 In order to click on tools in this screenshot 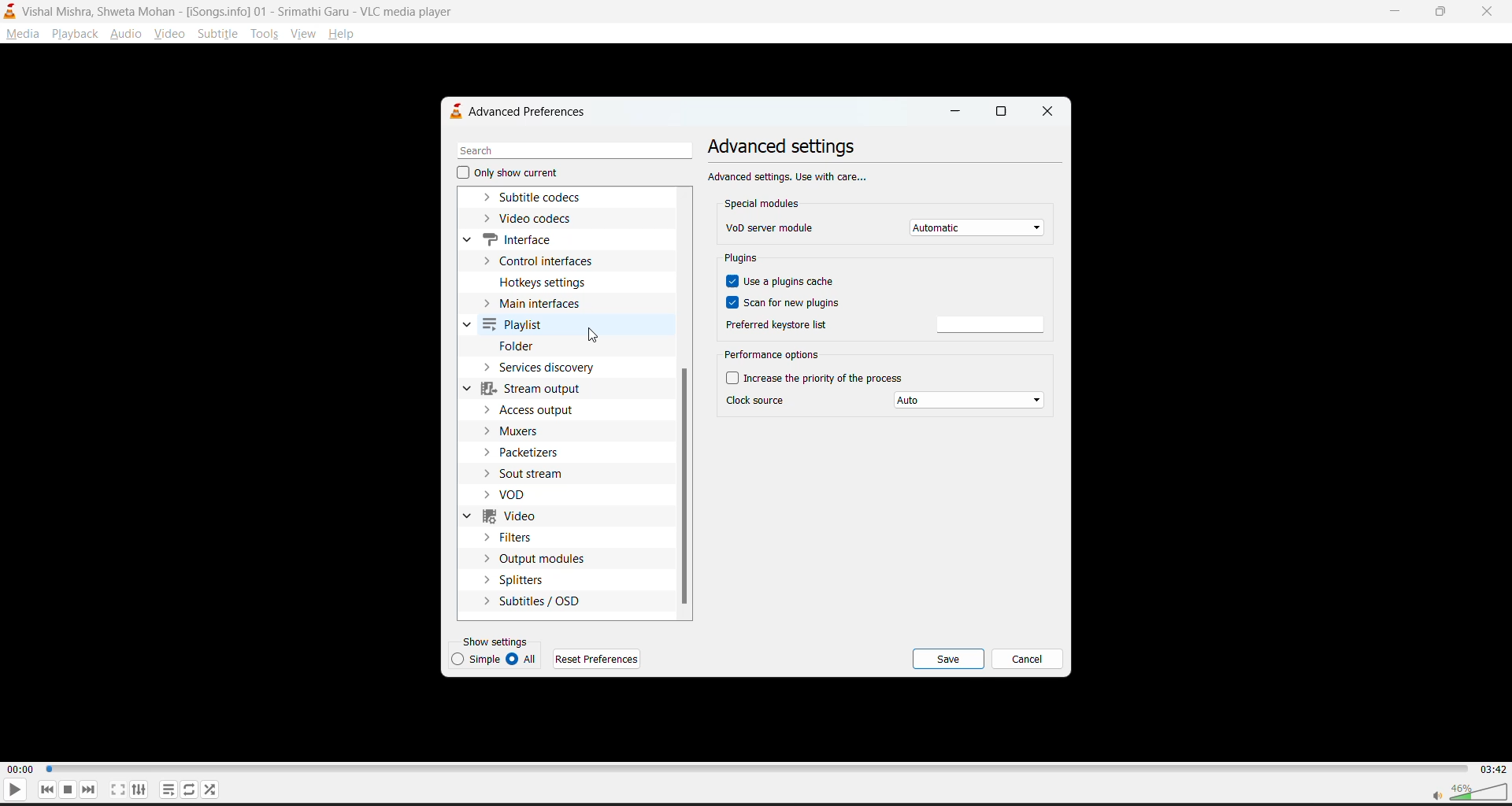, I will do `click(261, 35)`.